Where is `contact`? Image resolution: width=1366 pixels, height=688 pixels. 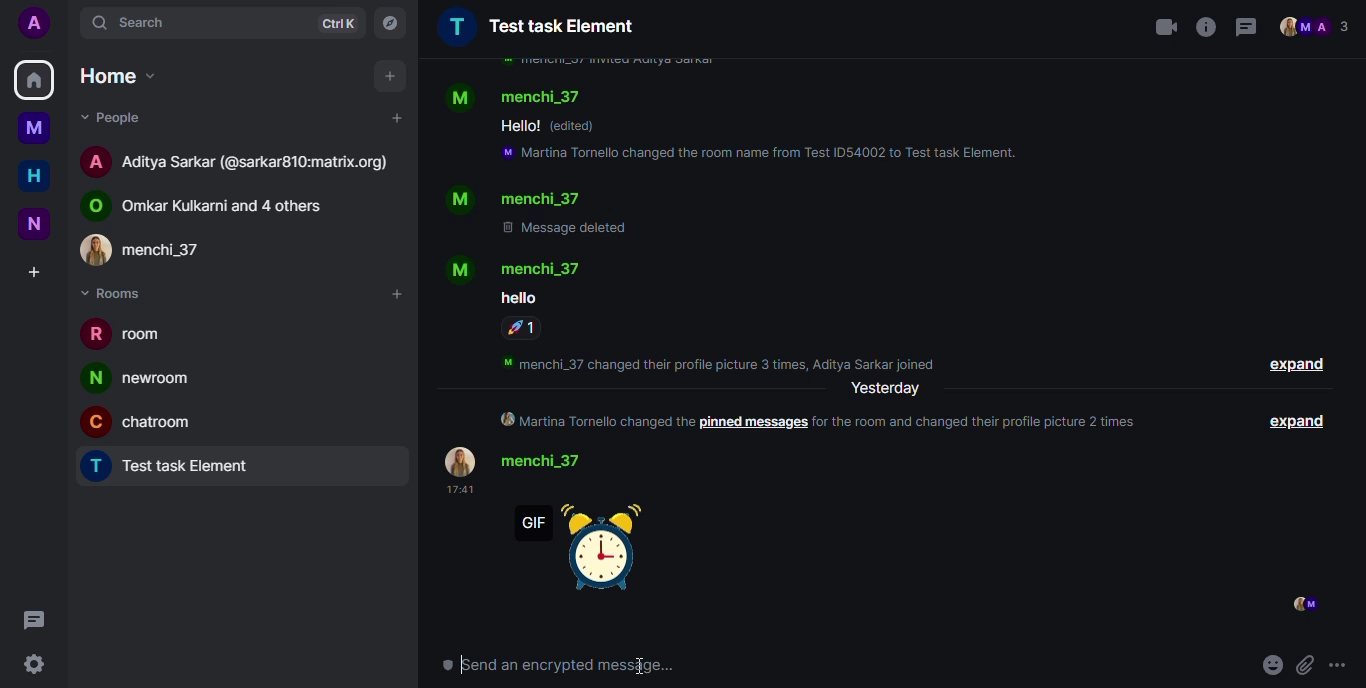
contact is located at coordinates (524, 461).